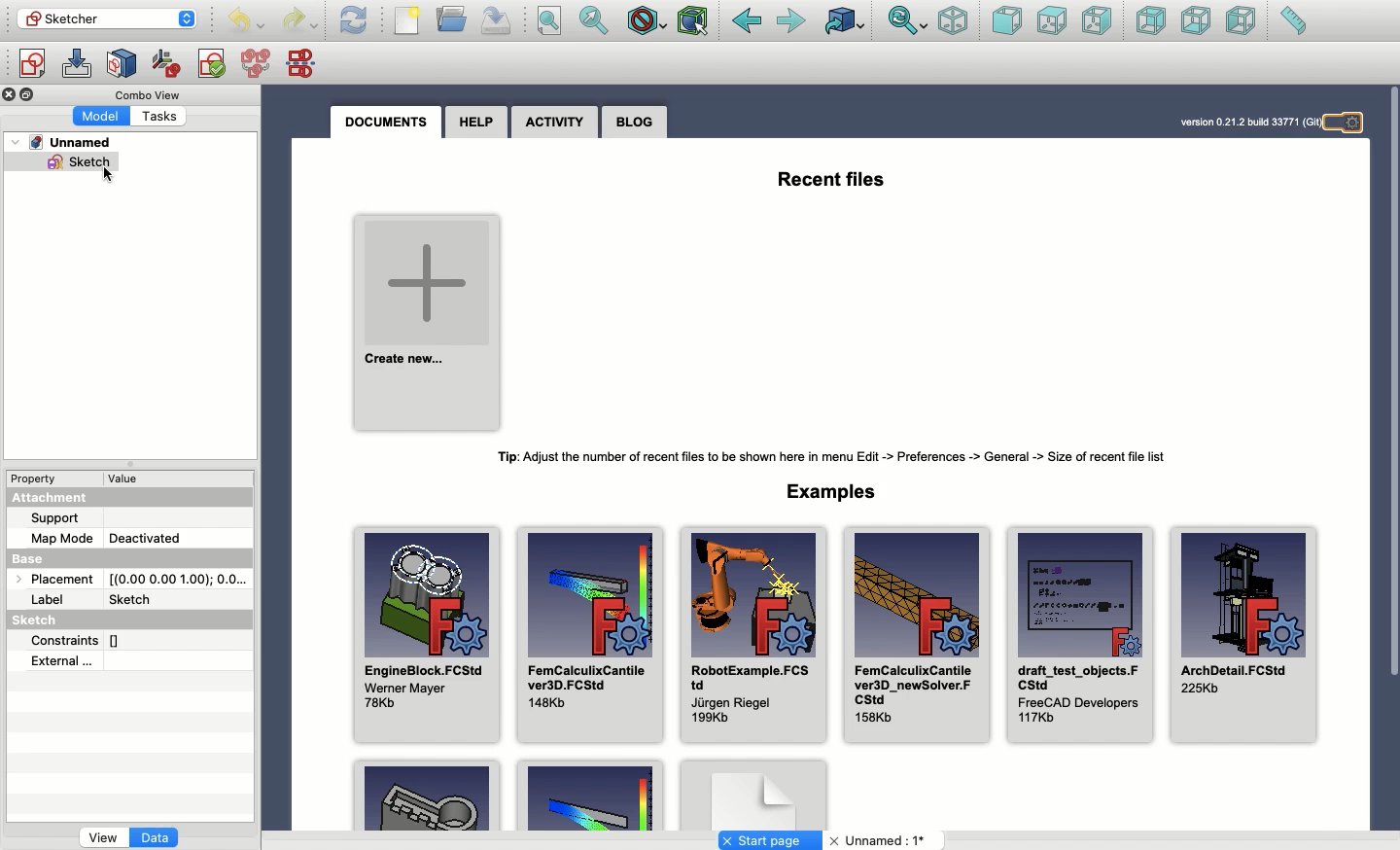  What do you see at coordinates (259, 64) in the screenshot?
I see `Merge sketches` at bounding box center [259, 64].